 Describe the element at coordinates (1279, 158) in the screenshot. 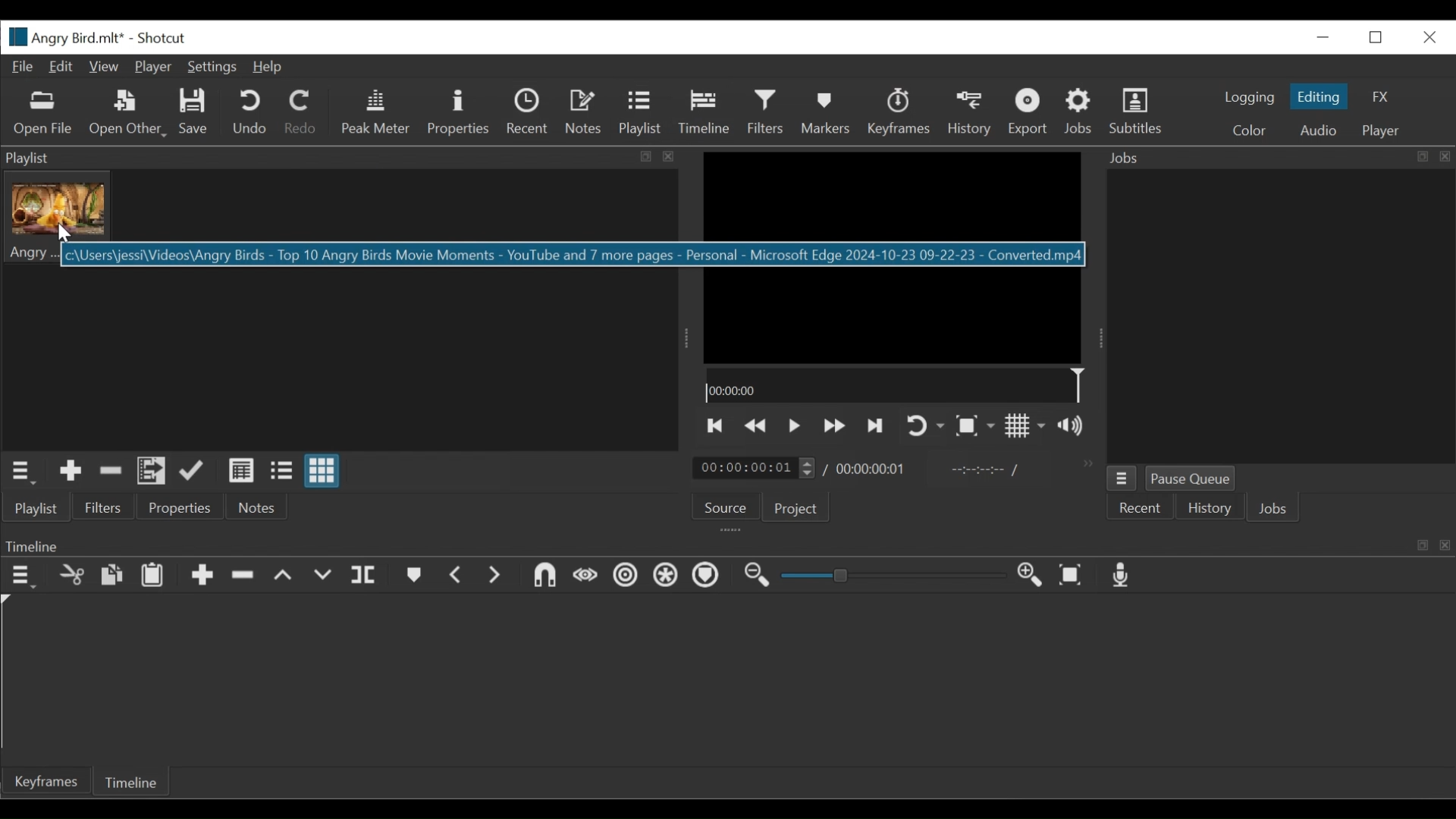

I see `Jobs Panel` at that location.